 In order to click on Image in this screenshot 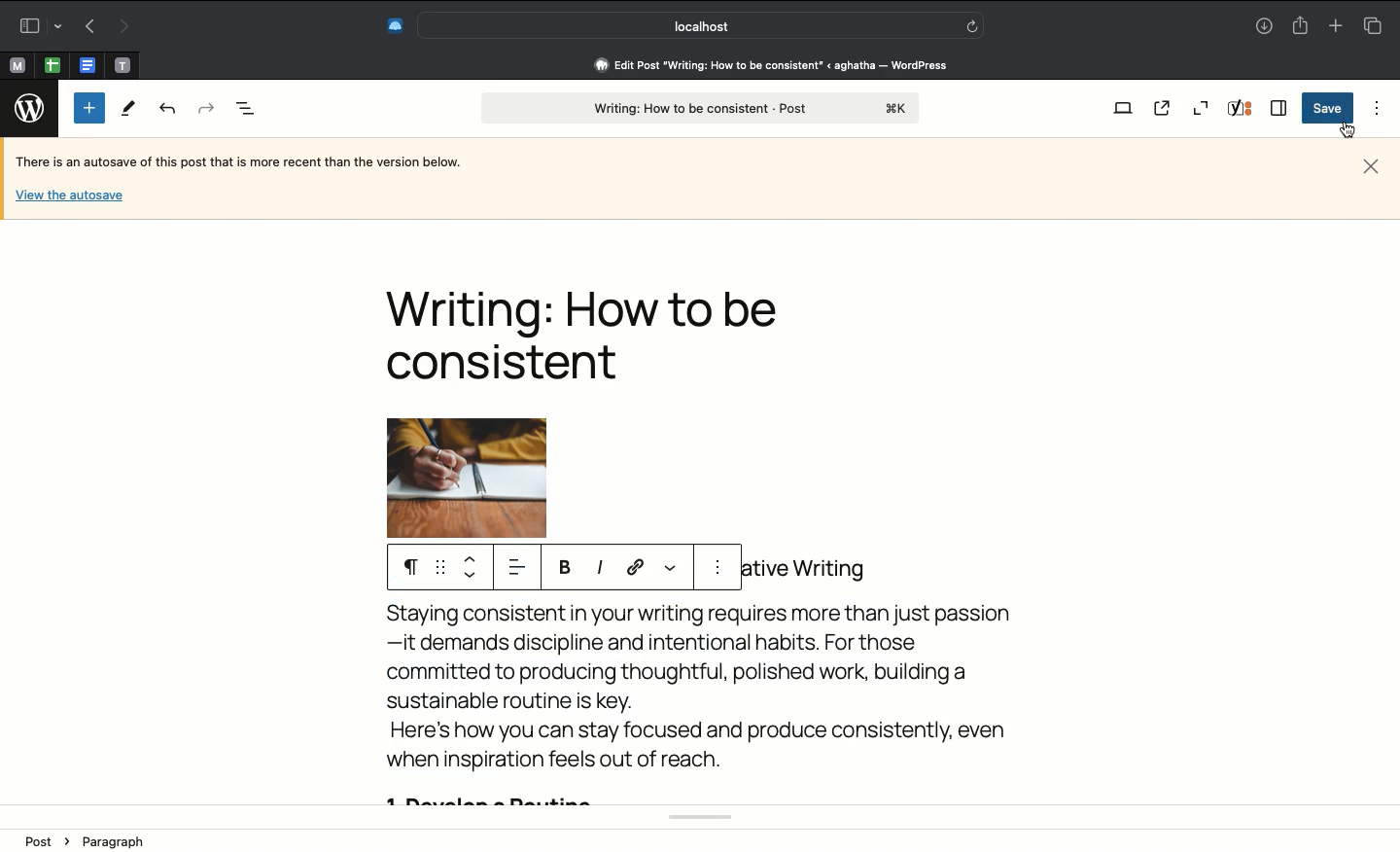, I will do `click(490, 478)`.